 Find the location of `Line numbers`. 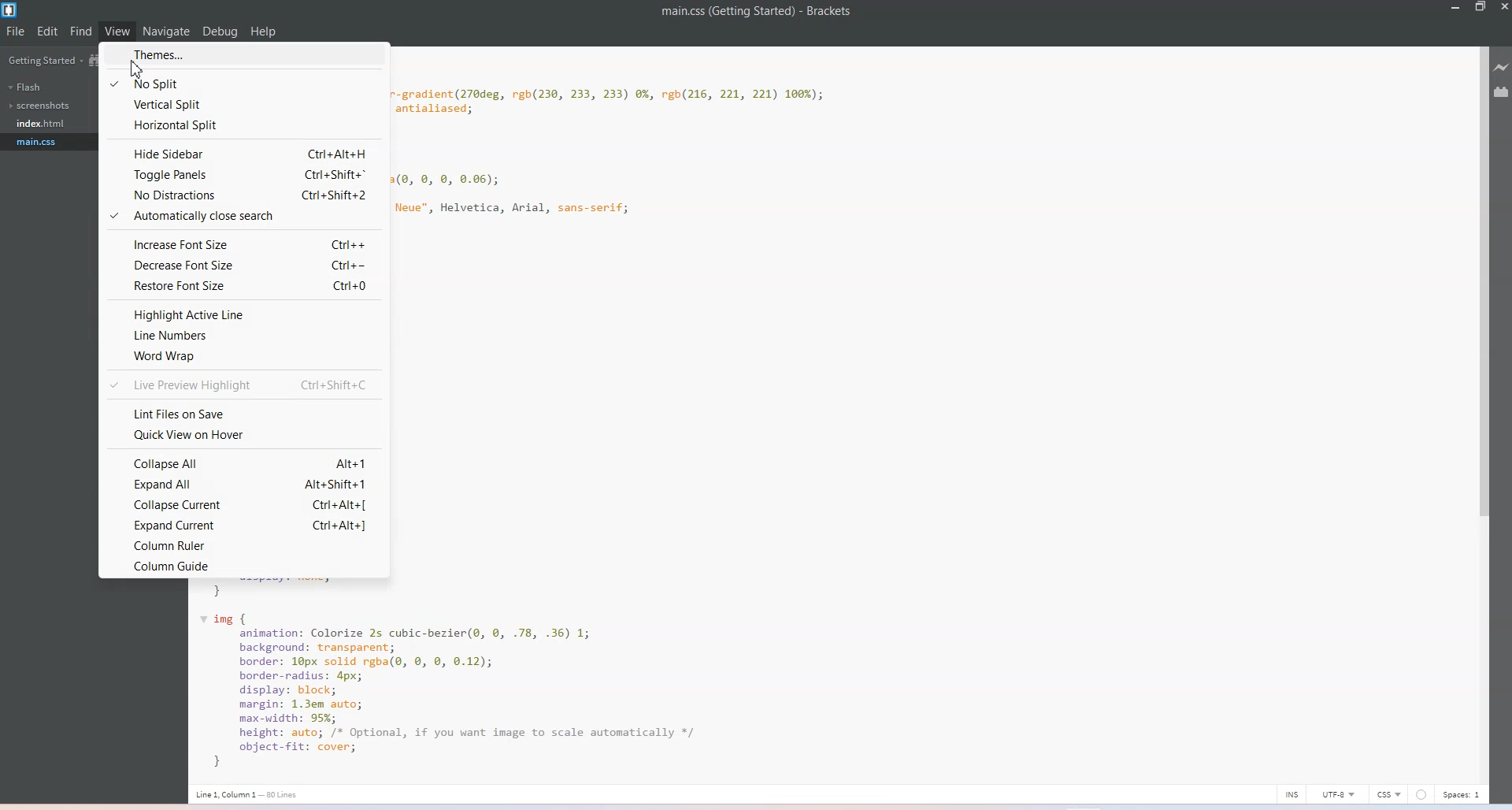

Line numbers is located at coordinates (245, 335).